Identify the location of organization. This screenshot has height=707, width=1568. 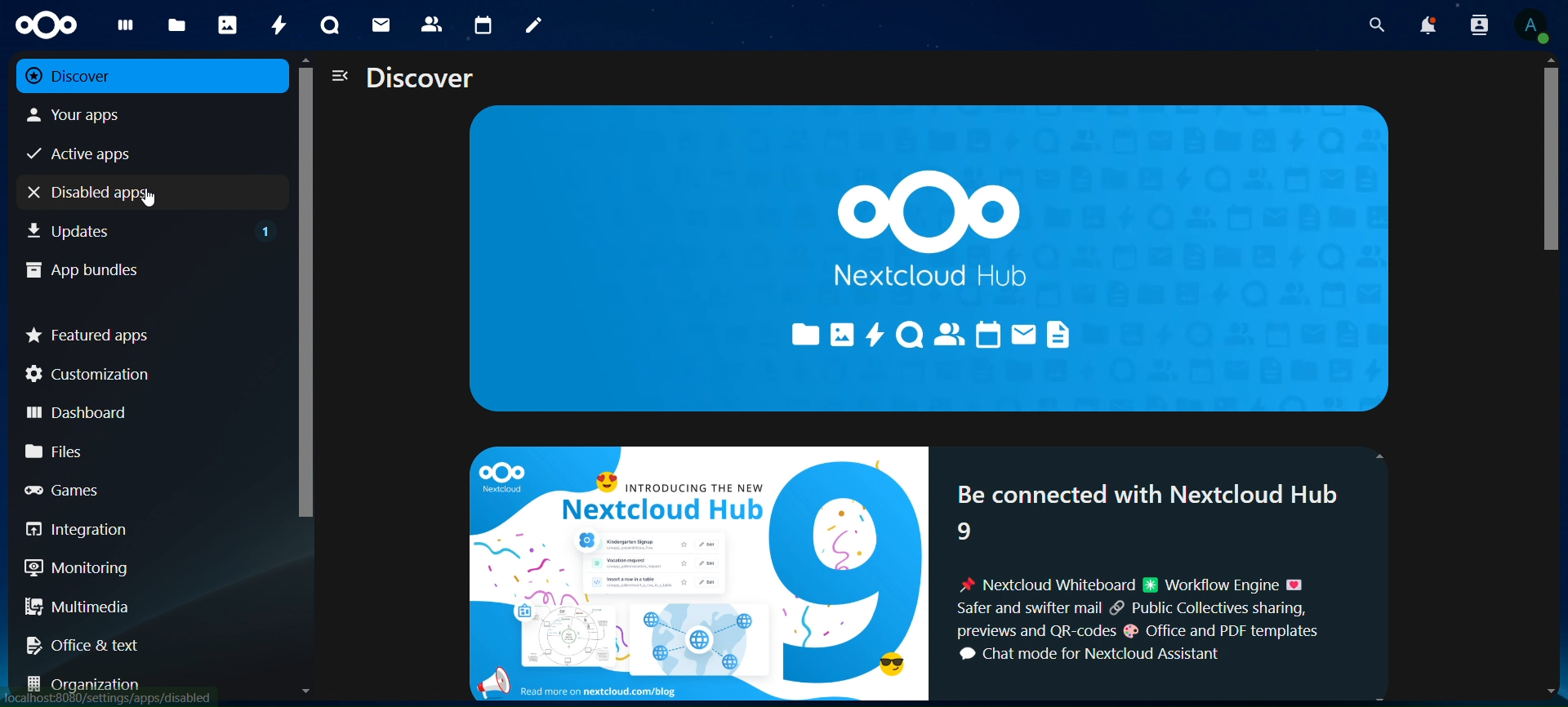
(147, 684).